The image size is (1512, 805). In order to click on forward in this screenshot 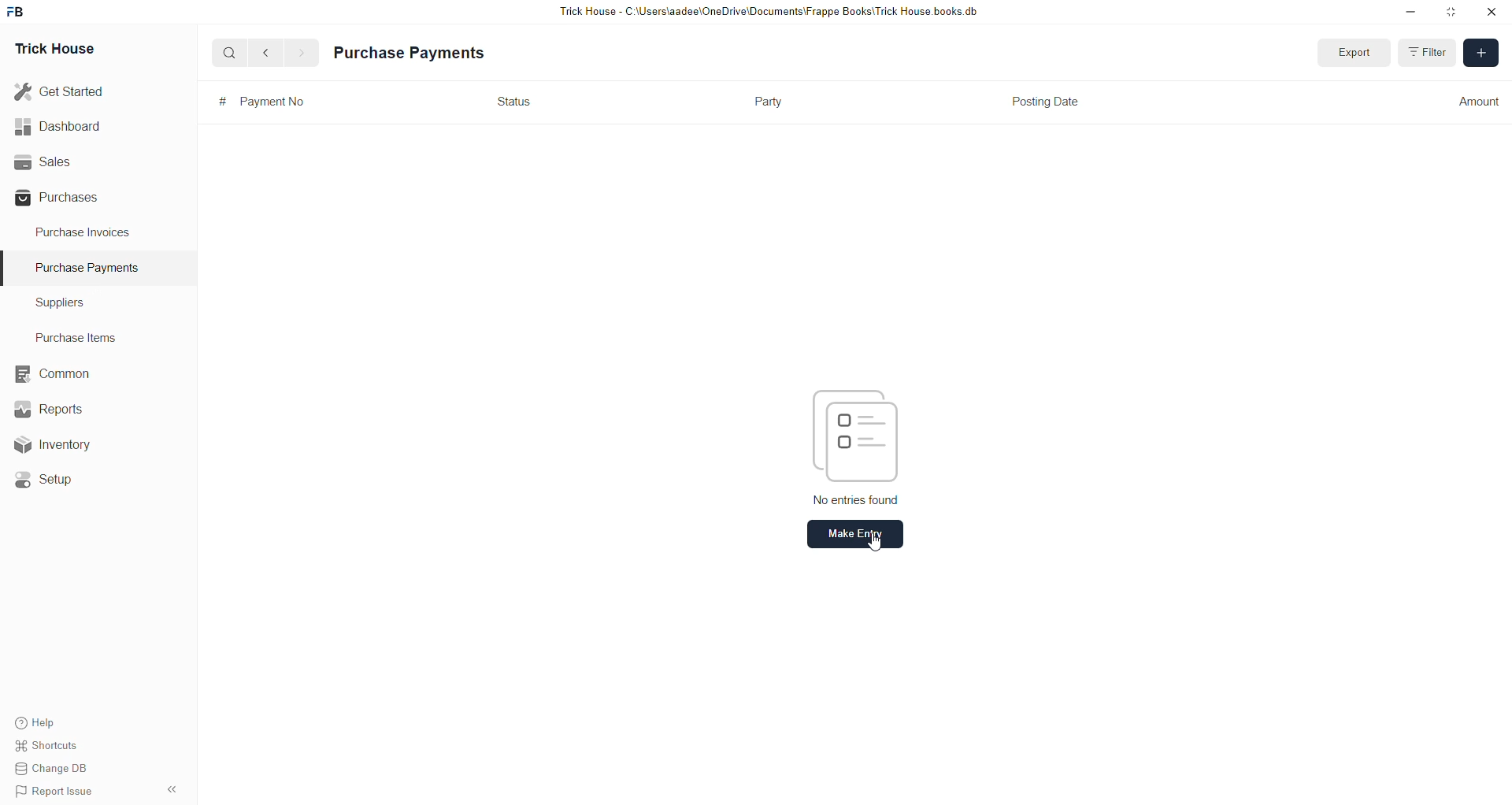, I will do `click(301, 53)`.